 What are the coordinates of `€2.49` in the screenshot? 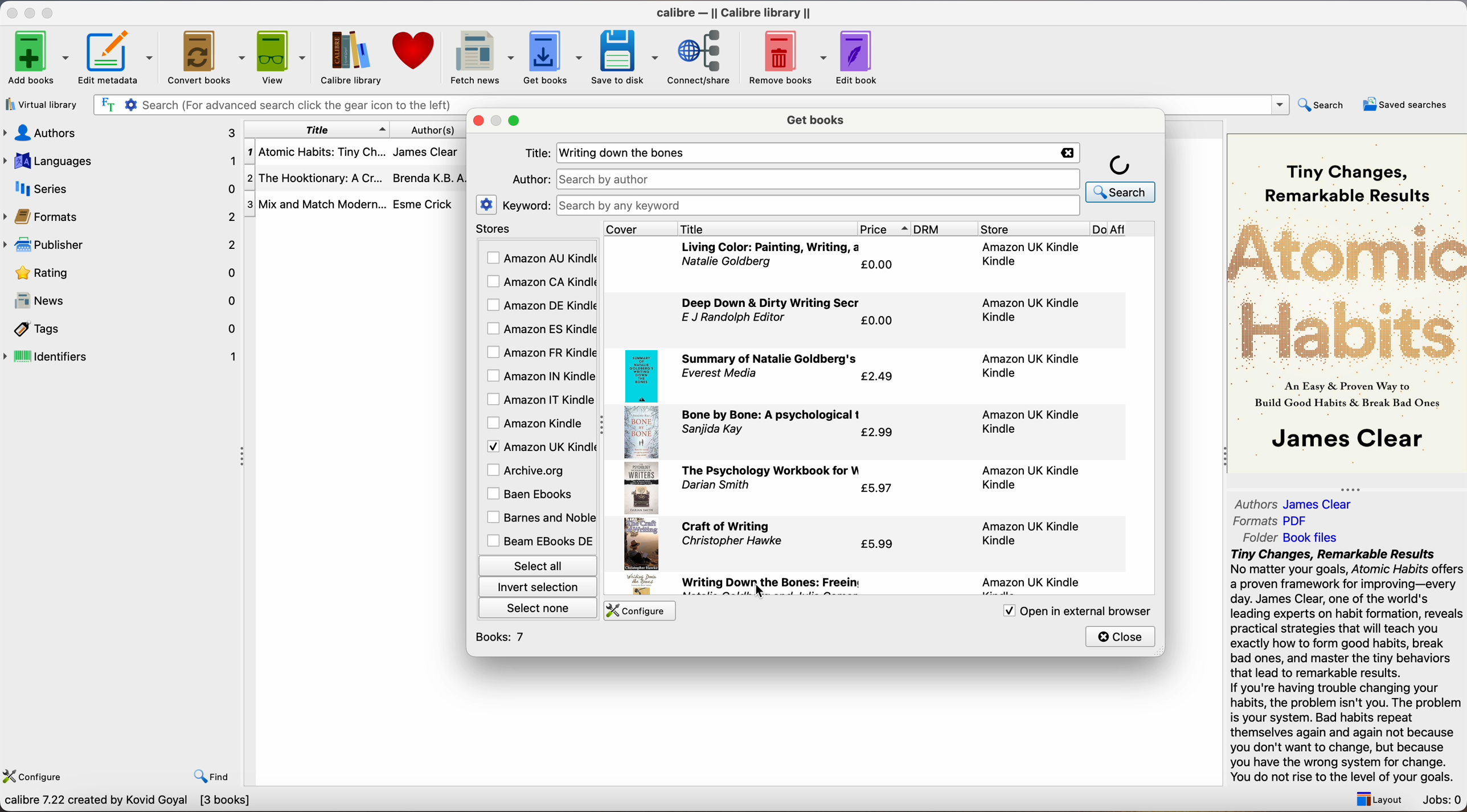 It's located at (876, 378).